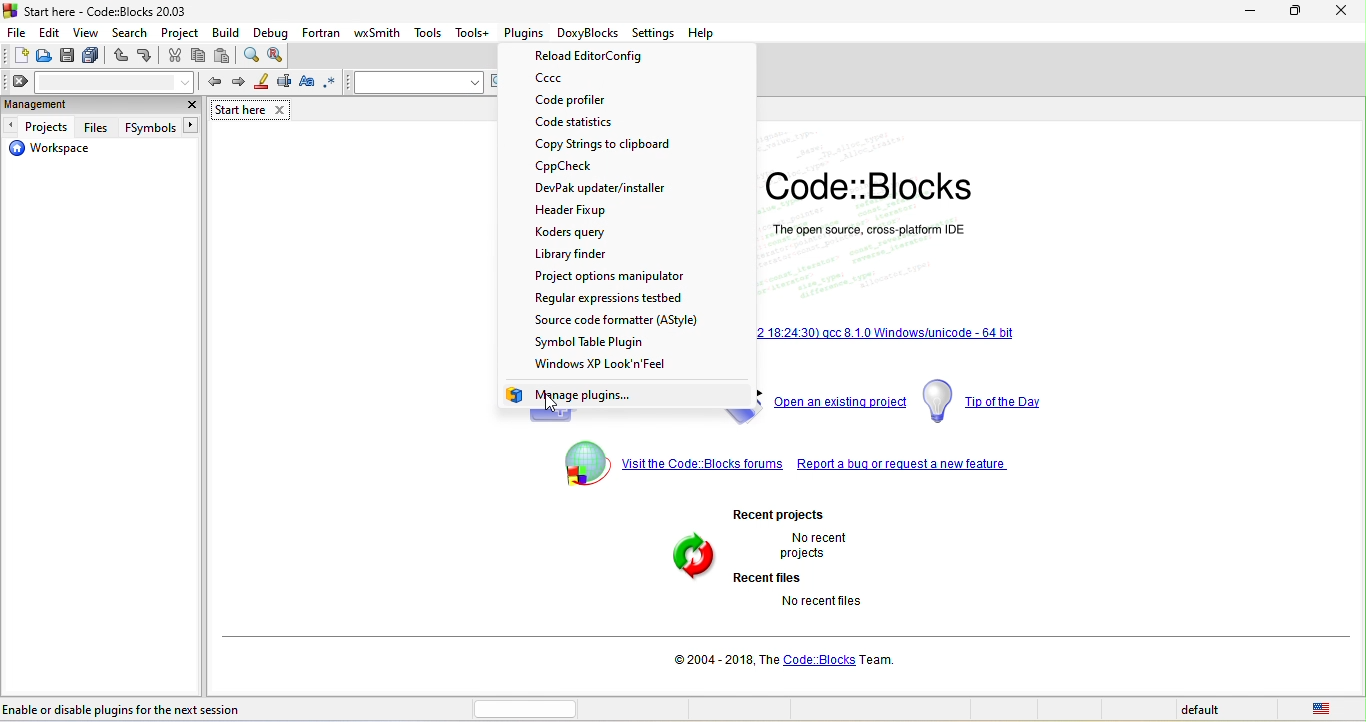 This screenshot has width=1366, height=722. Describe the element at coordinates (1325, 710) in the screenshot. I see `united state` at that location.